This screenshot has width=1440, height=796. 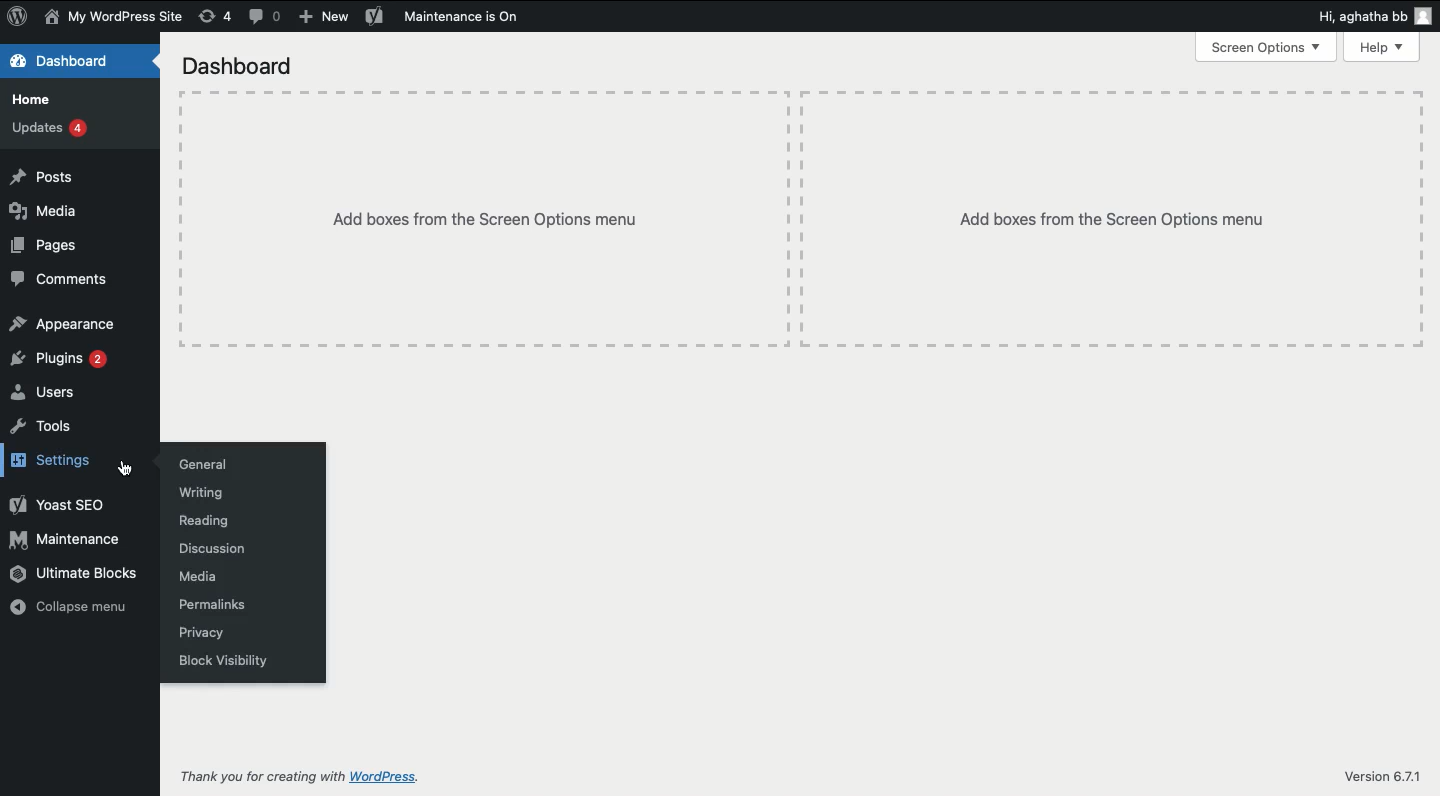 What do you see at coordinates (212, 603) in the screenshot?
I see `permalinks` at bounding box center [212, 603].